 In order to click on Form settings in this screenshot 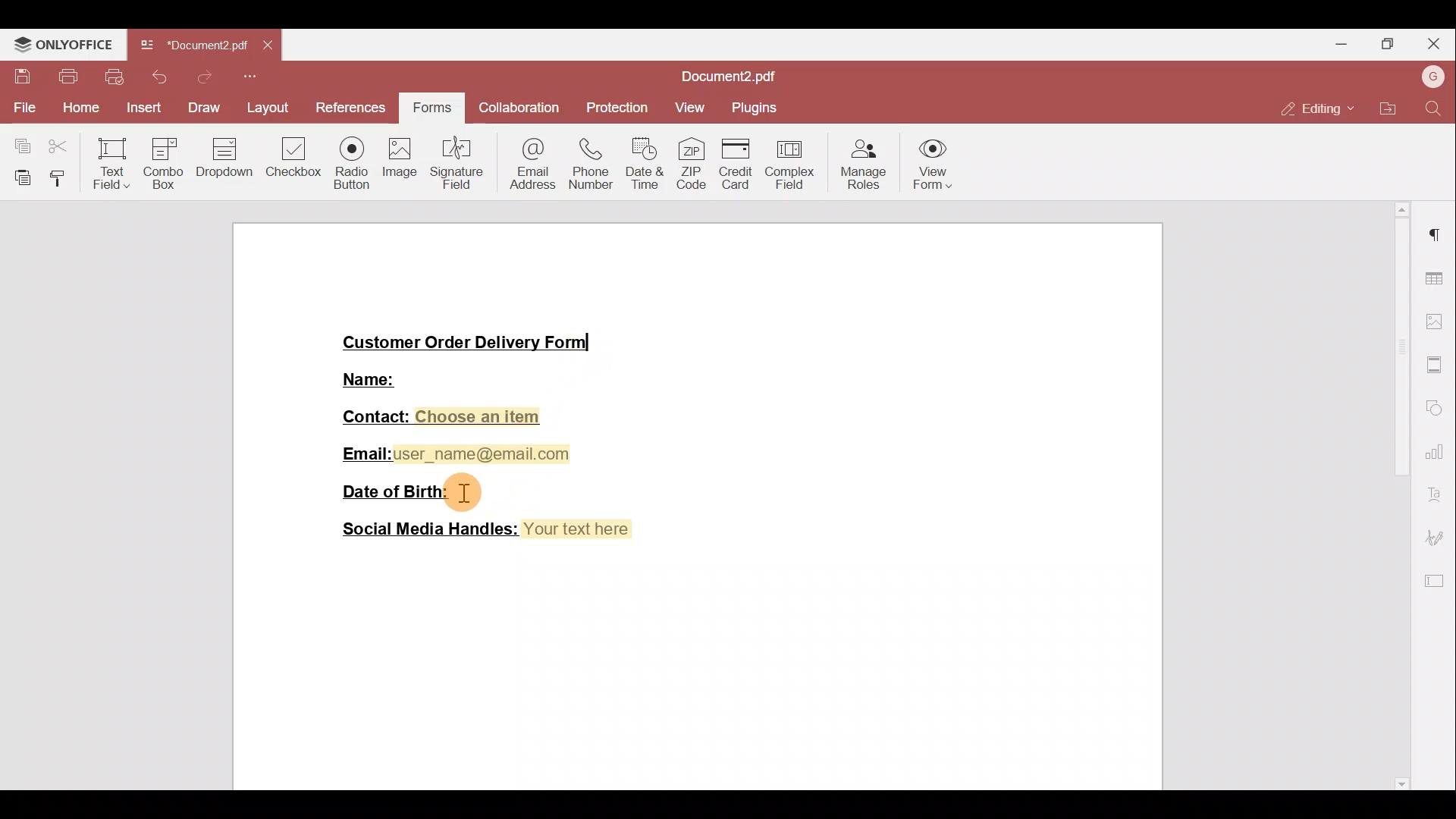, I will do `click(1437, 583)`.